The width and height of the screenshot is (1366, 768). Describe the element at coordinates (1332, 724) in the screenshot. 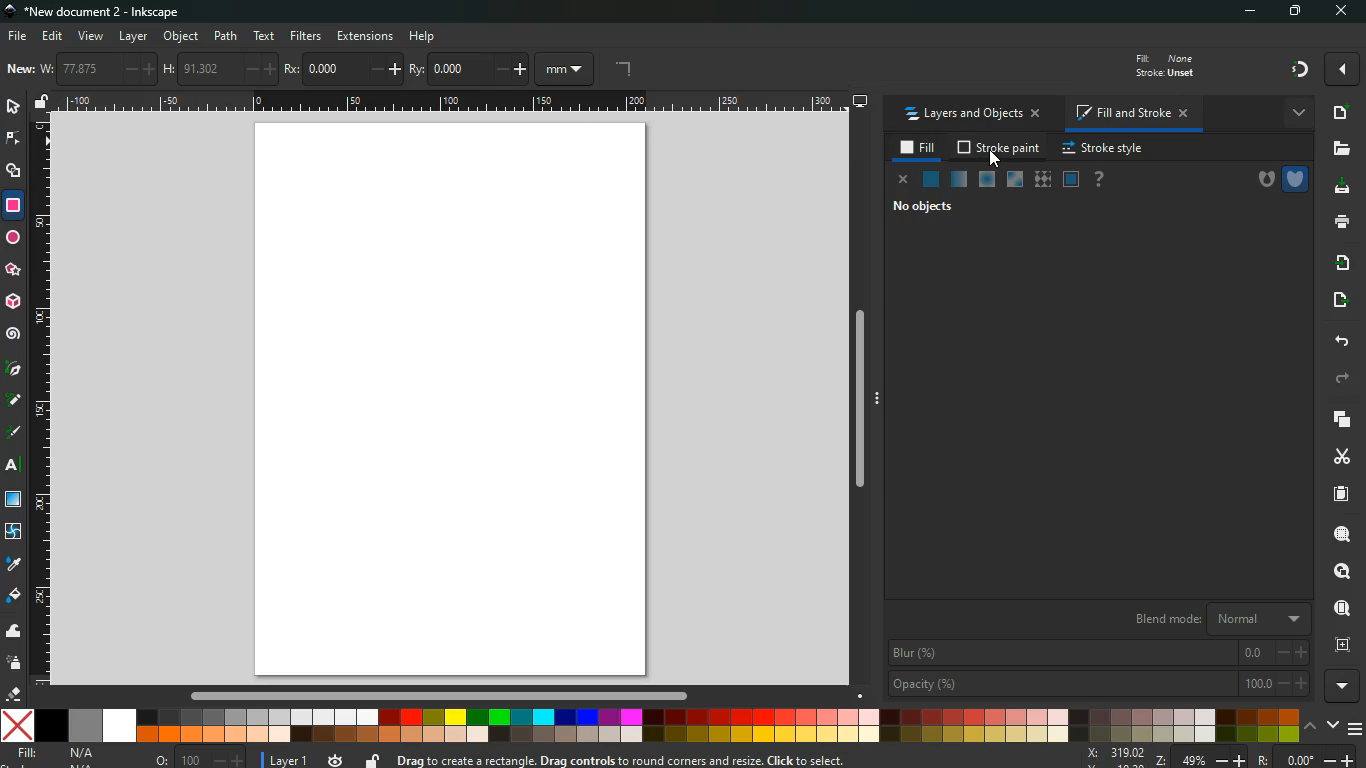

I see `down` at that location.